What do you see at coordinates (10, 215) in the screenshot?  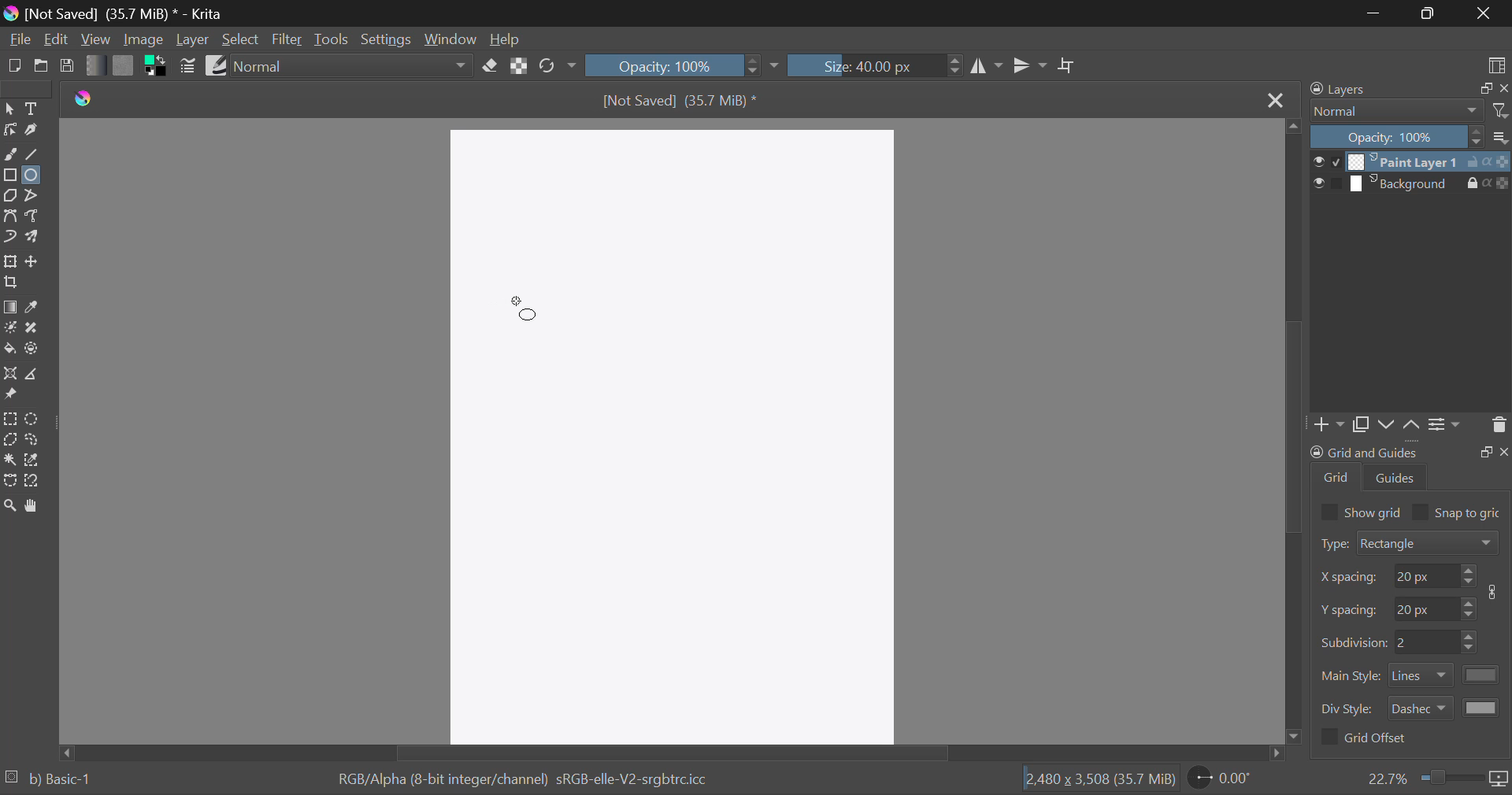 I see `Bezier Curve` at bounding box center [10, 215].